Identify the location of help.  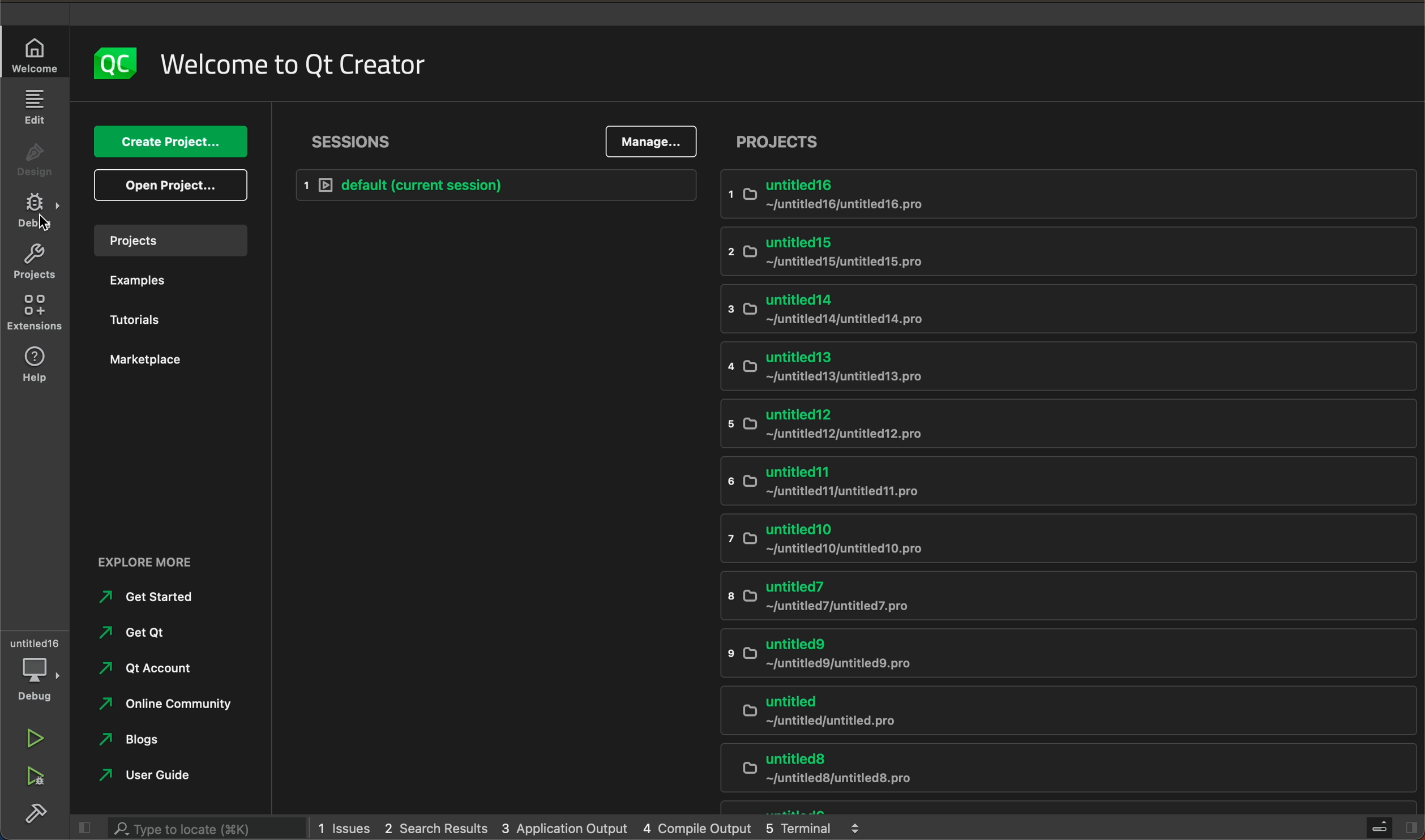
(32, 366).